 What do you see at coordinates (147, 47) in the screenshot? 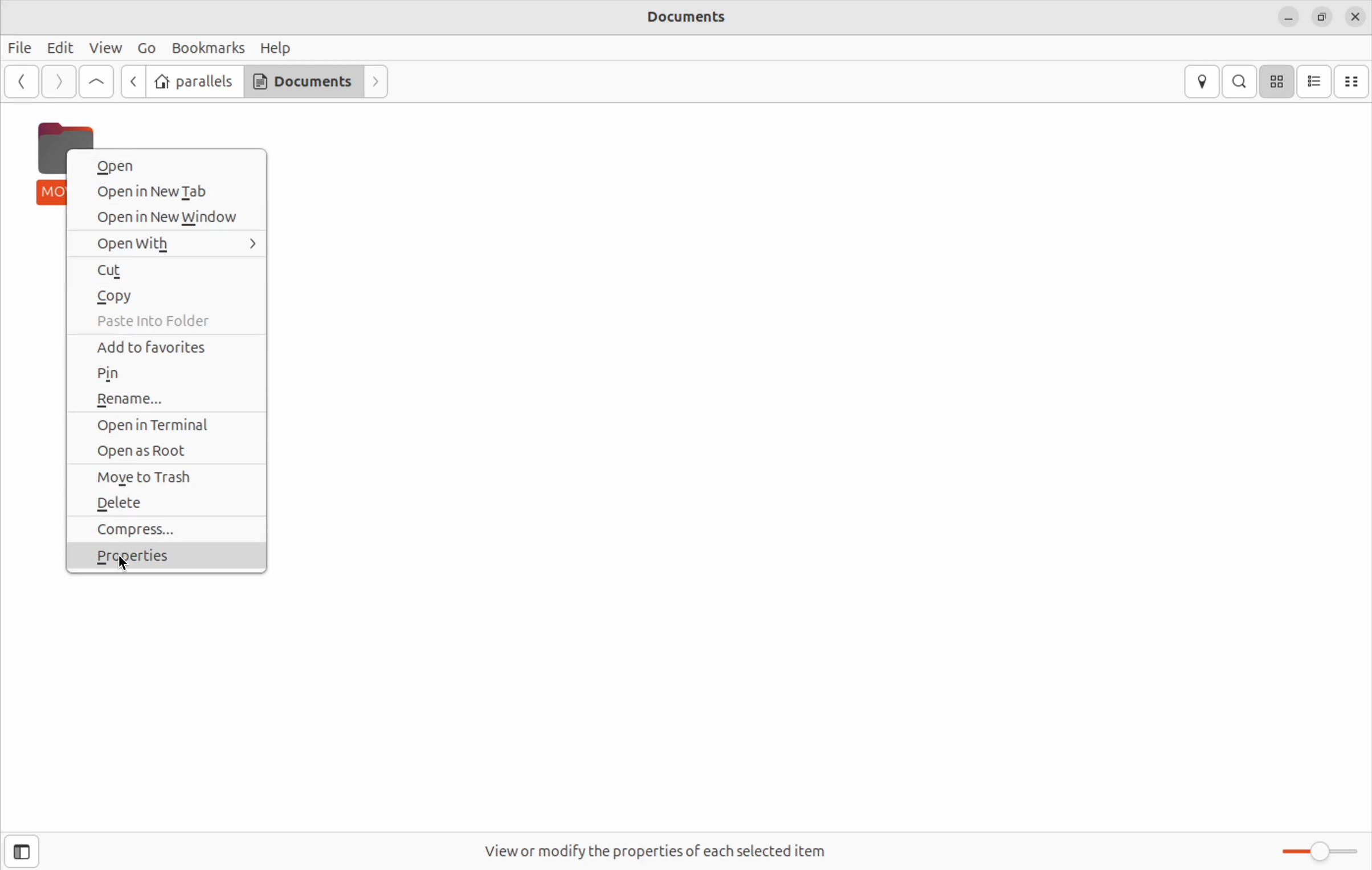
I see `Go` at bounding box center [147, 47].